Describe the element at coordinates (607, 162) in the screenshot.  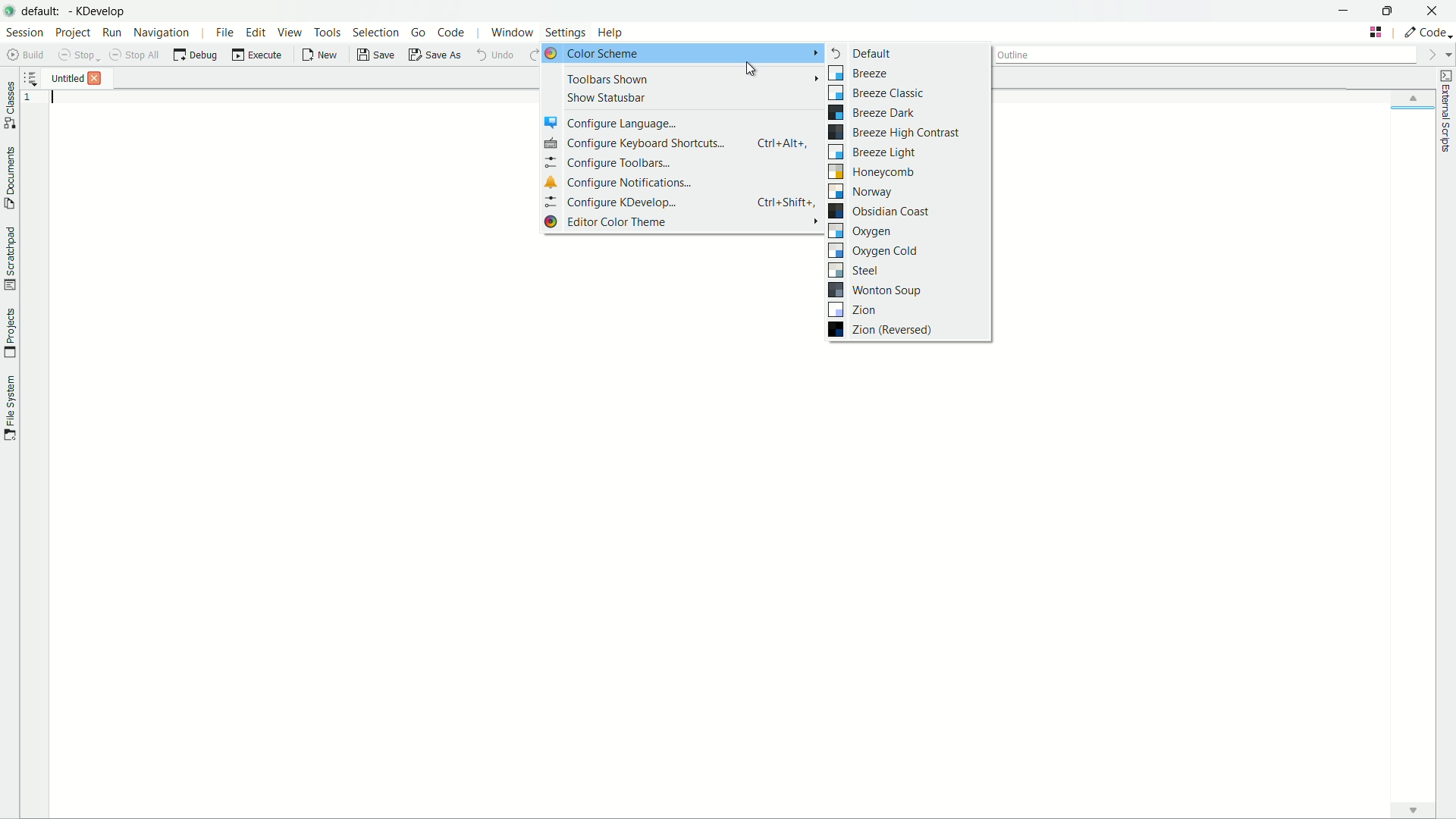
I see `configure toolbars` at that location.